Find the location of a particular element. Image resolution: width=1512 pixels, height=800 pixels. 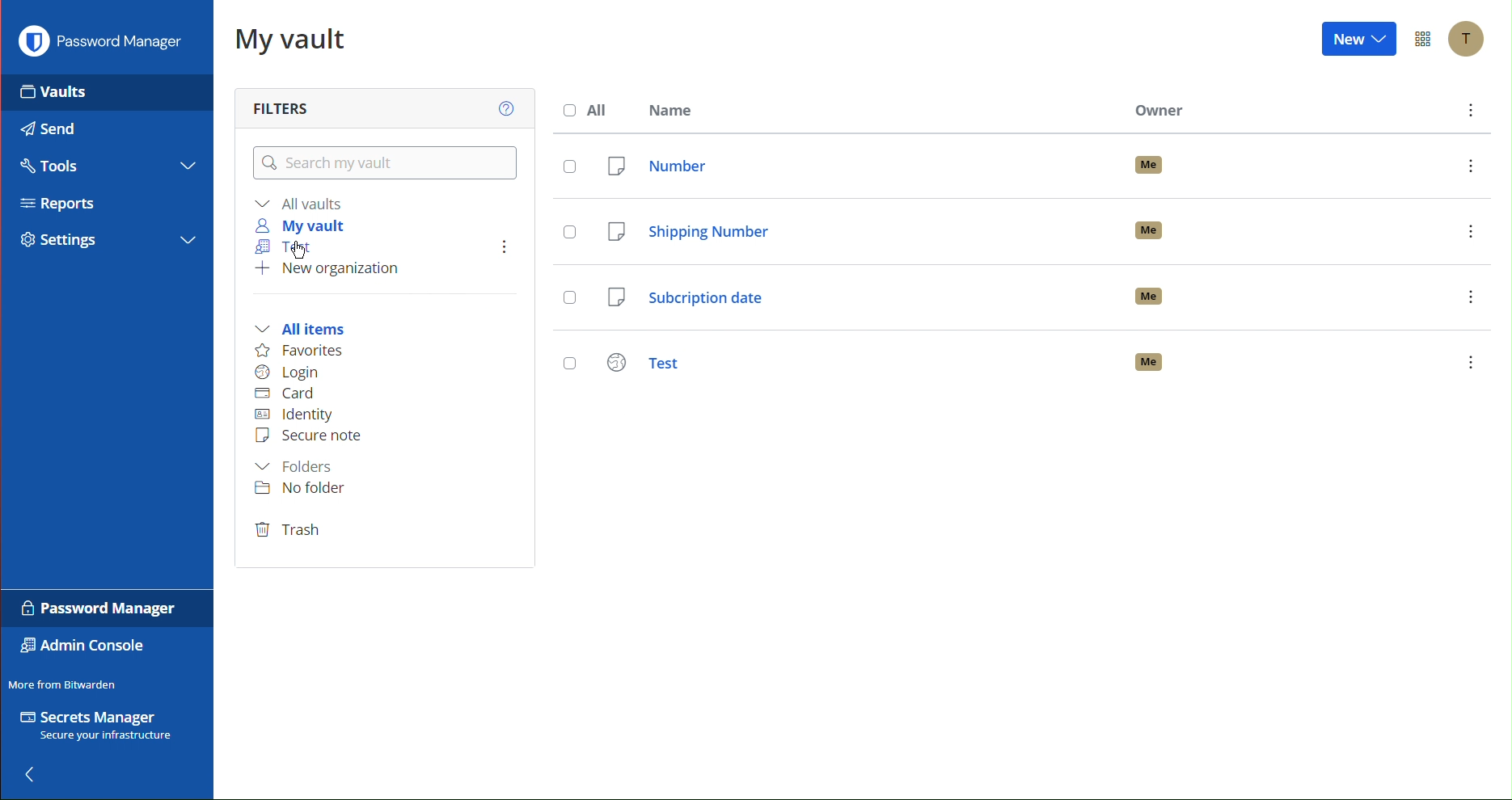

All is located at coordinates (588, 110).